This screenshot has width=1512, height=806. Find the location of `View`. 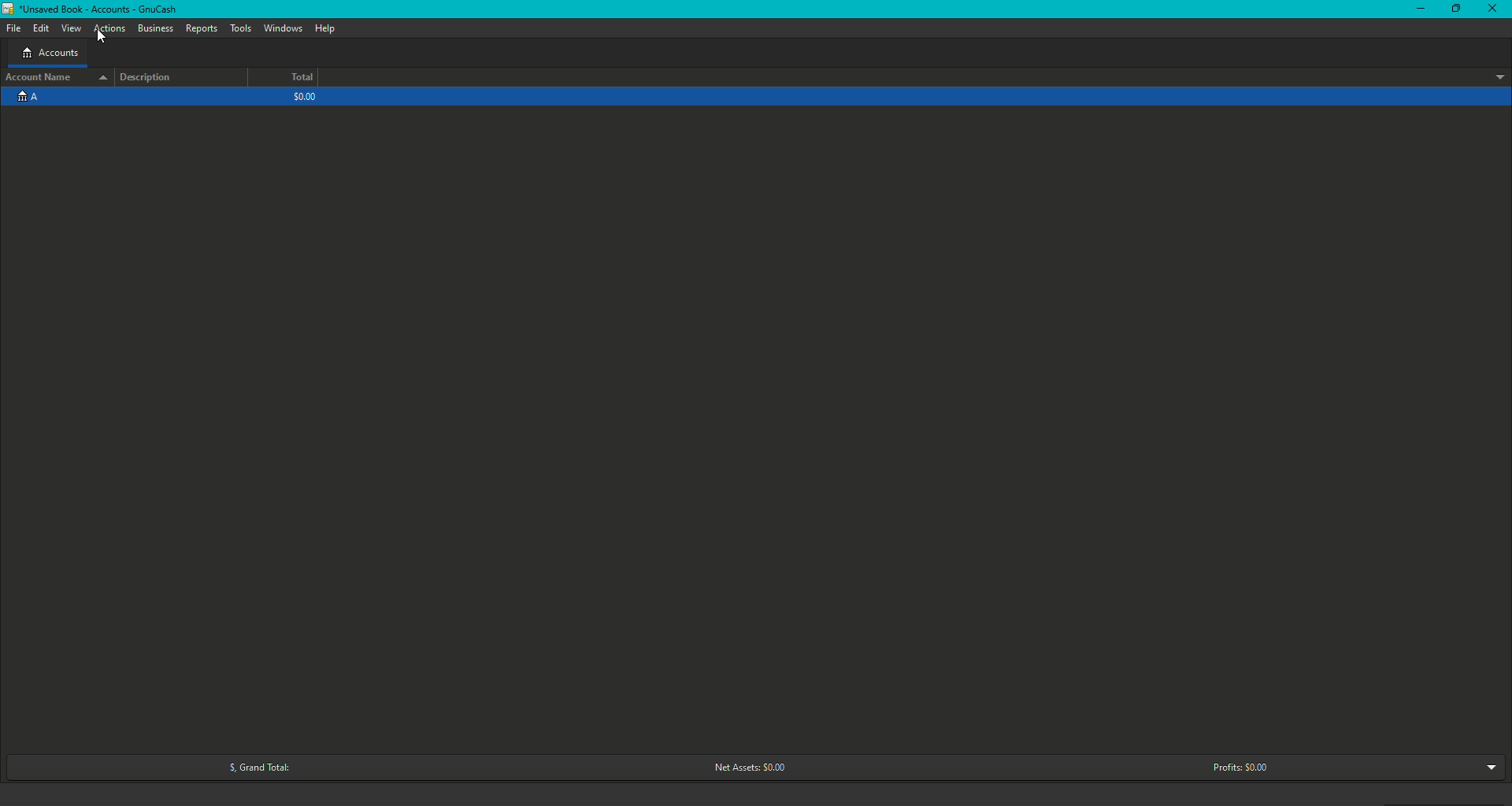

View is located at coordinates (72, 29).